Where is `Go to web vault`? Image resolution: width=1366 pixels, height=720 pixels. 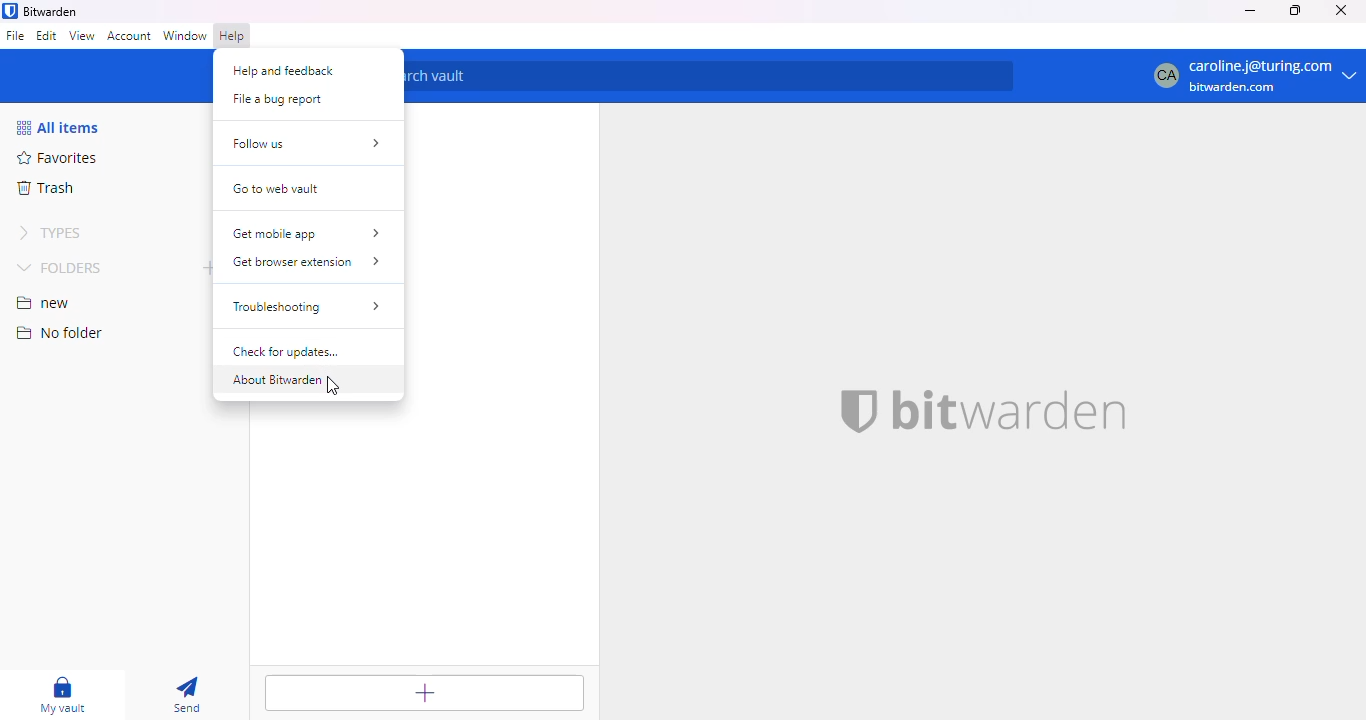
Go to web vault is located at coordinates (281, 190).